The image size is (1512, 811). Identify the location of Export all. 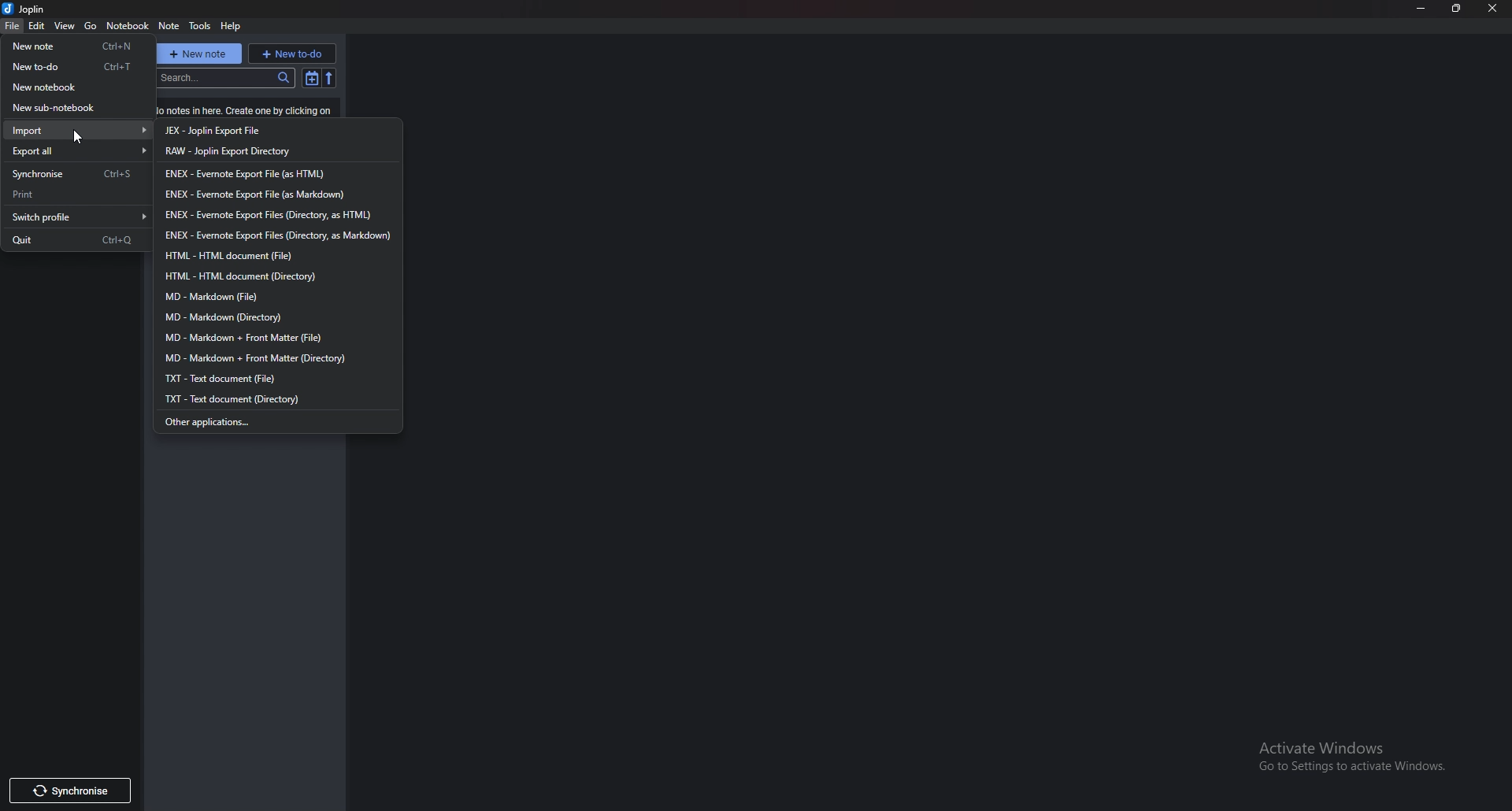
(79, 151).